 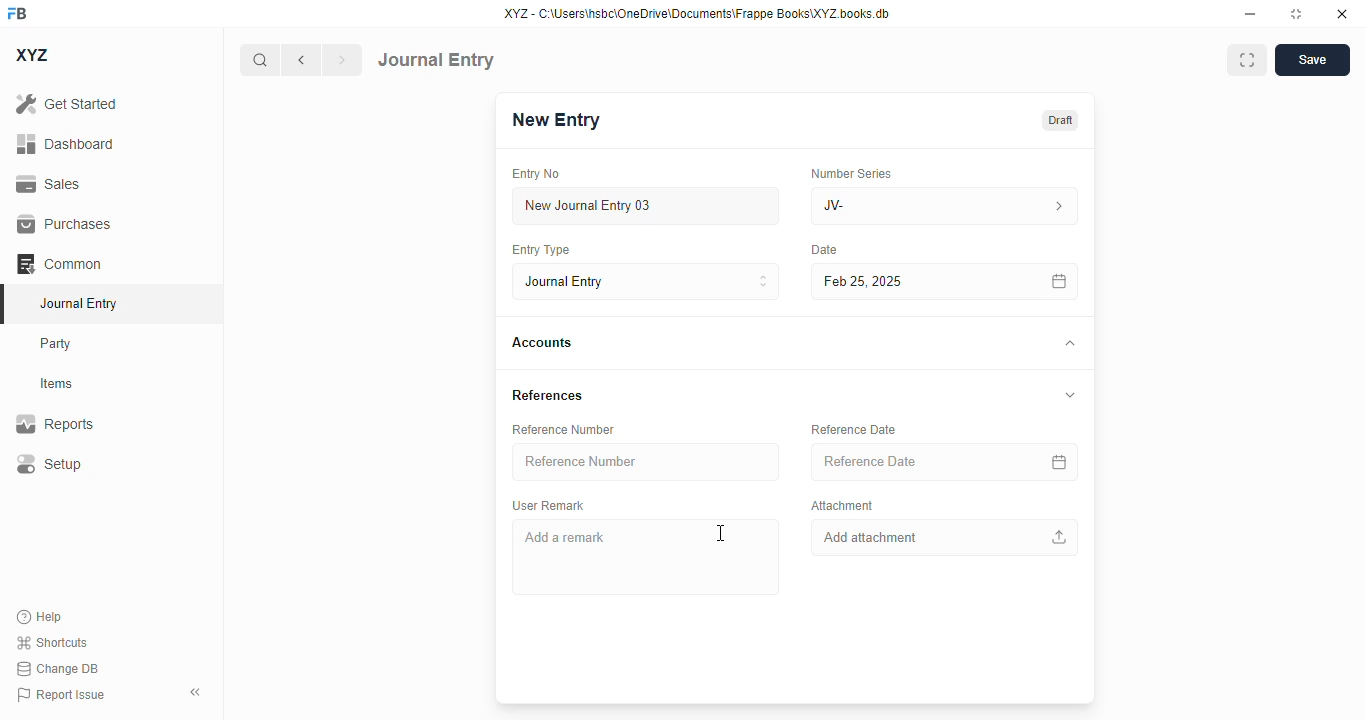 I want to click on purchases, so click(x=65, y=224).